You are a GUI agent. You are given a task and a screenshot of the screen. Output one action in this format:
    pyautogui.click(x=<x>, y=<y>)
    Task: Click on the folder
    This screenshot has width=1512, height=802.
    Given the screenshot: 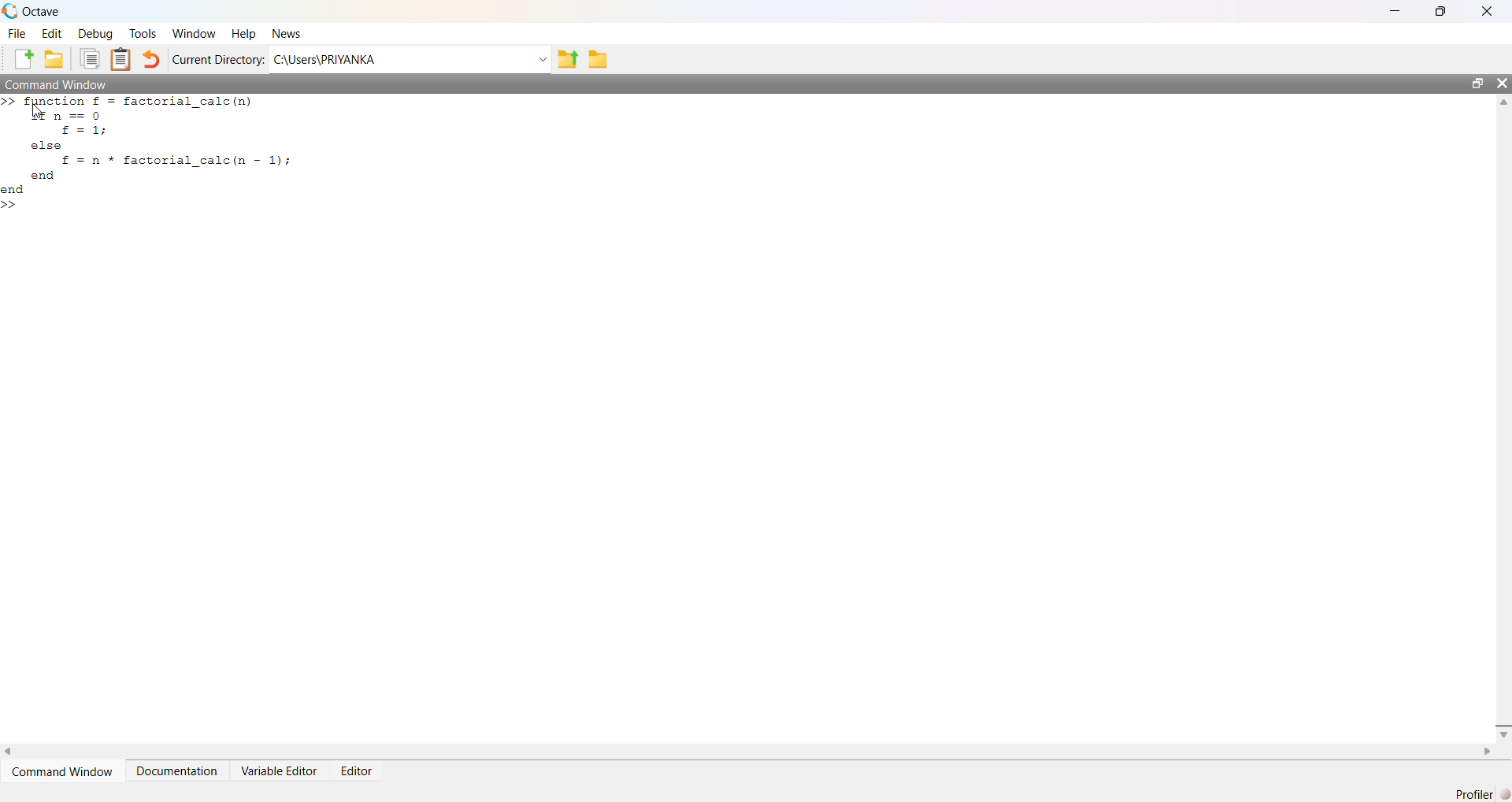 What is the action you would take?
    pyautogui.click(x=600, y=59)
    